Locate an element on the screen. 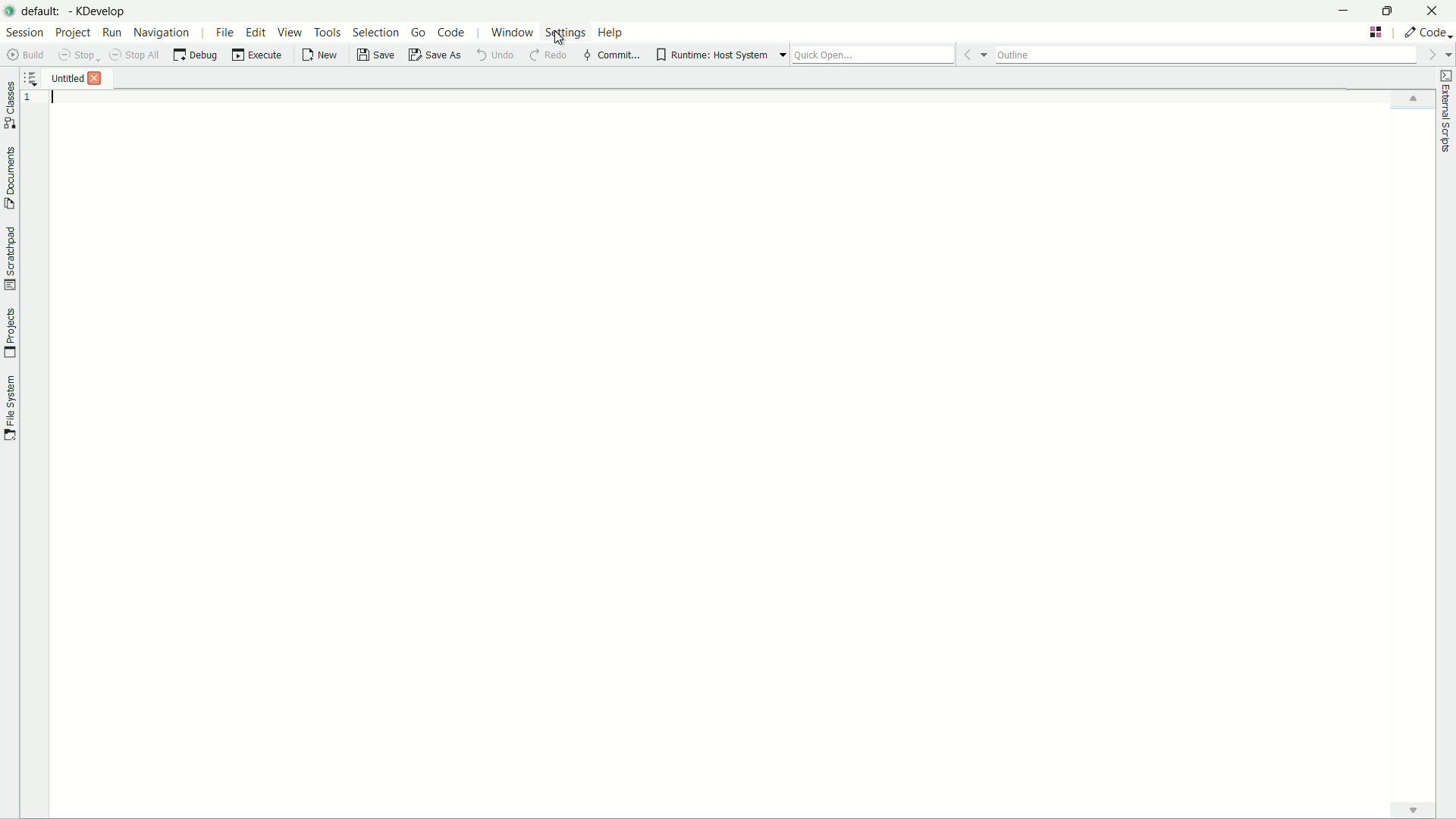 The width and height of the screenshot is (1456, 819). debug is located at coordinates (195, 55).